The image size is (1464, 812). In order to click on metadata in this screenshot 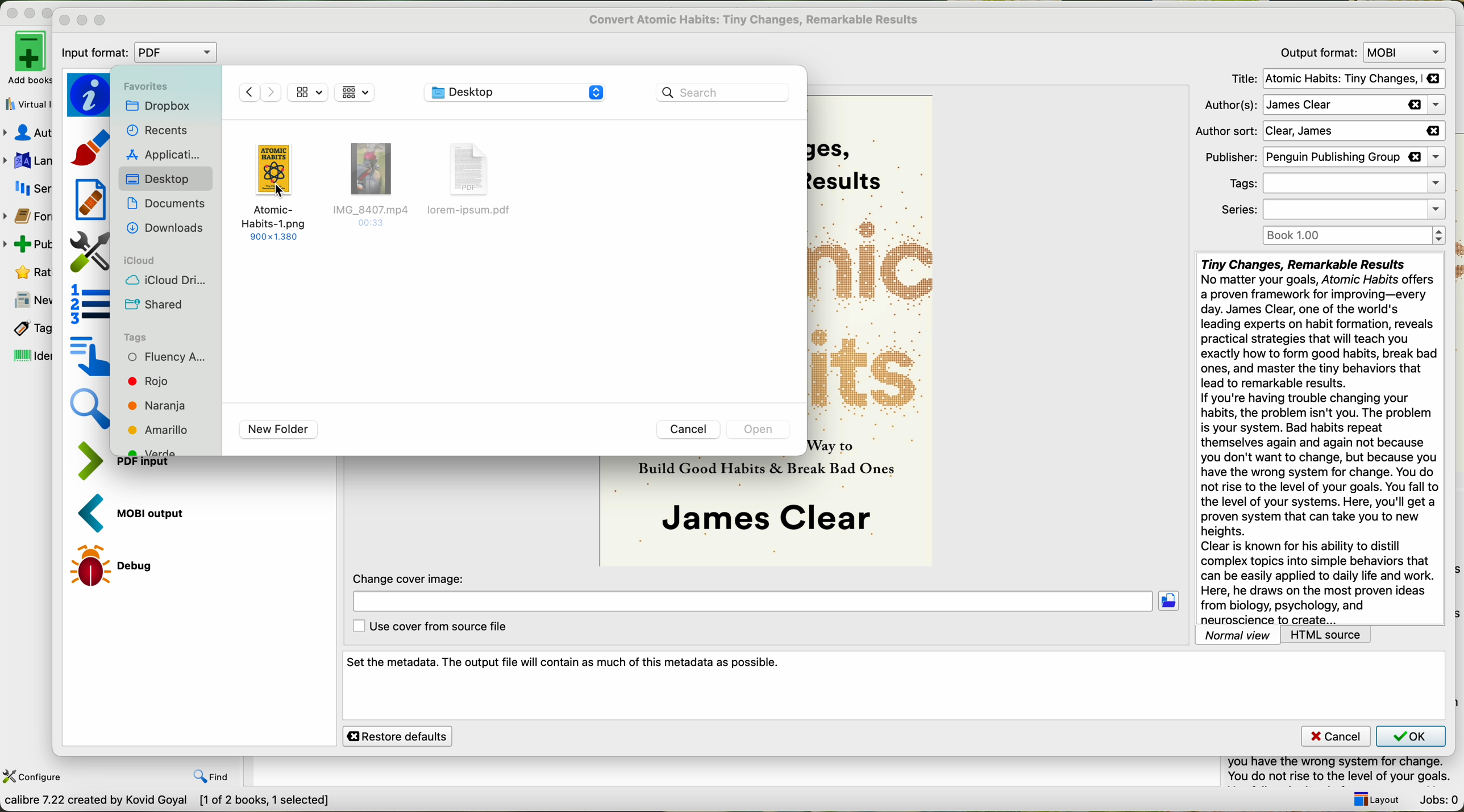, I will do `click(89, 95)`.